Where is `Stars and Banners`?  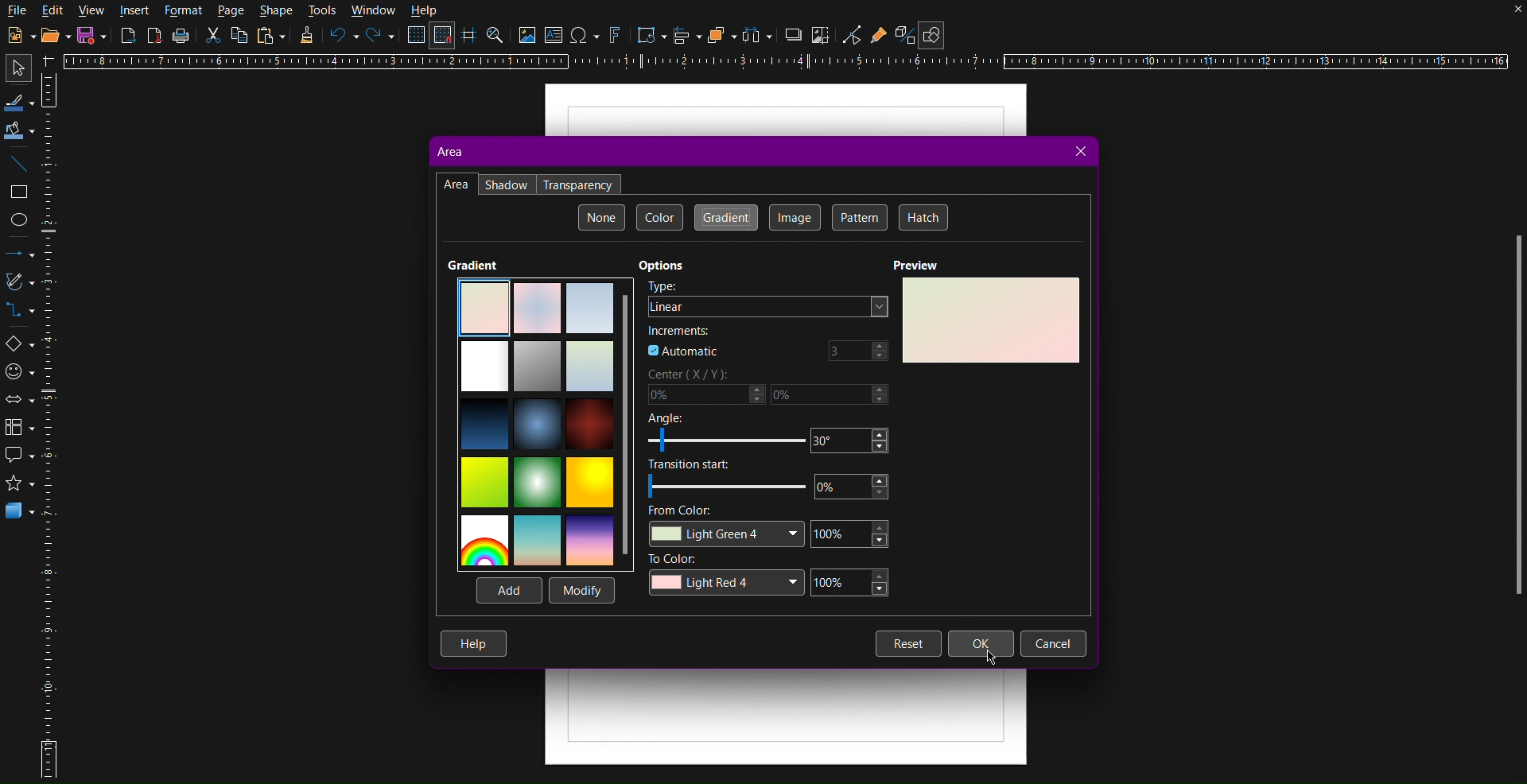
Stars and Banners is located at coordinates (19, 487).